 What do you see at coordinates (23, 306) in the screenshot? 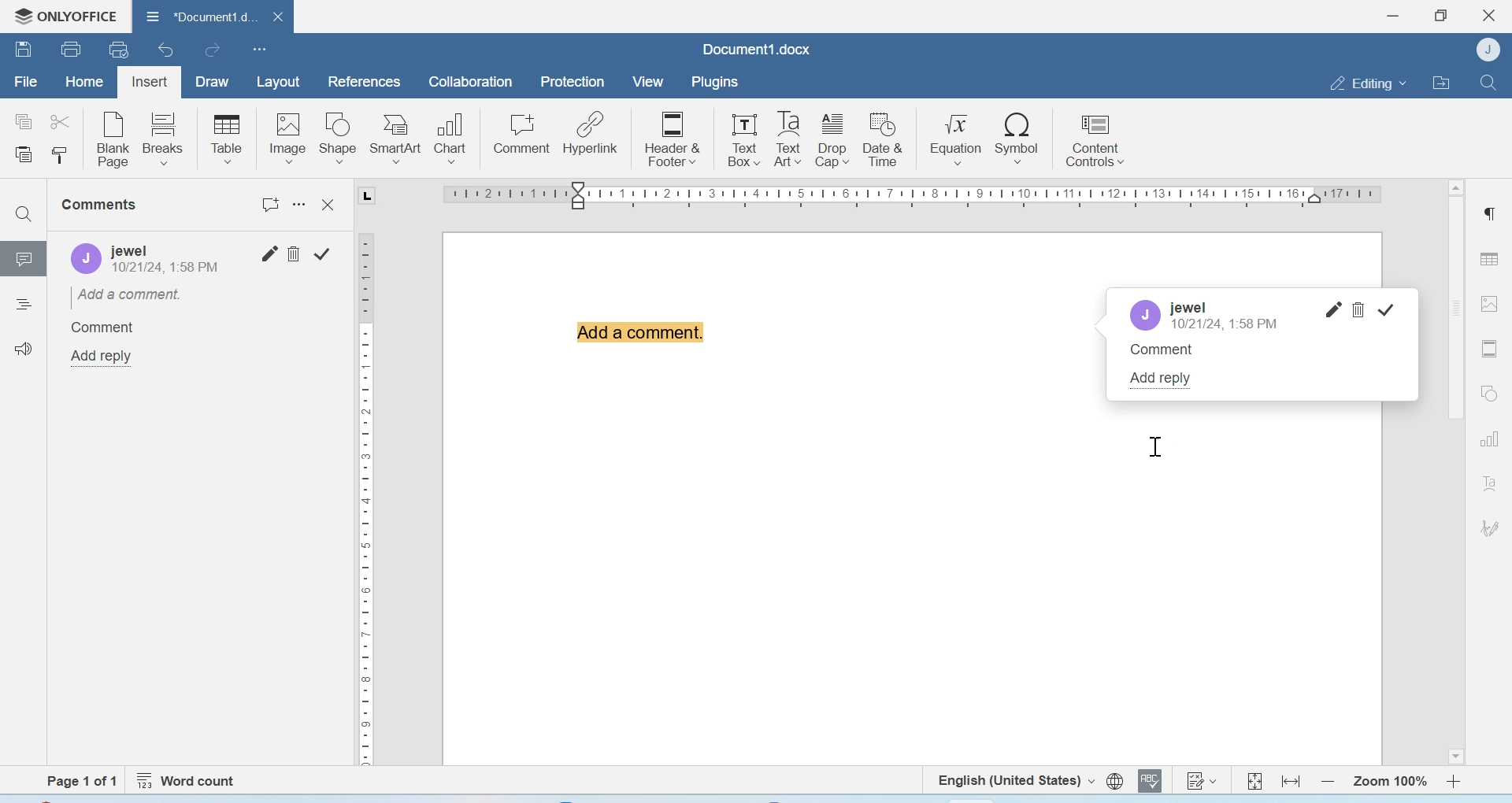
I see `Headings` at bounding box center [23, 306].